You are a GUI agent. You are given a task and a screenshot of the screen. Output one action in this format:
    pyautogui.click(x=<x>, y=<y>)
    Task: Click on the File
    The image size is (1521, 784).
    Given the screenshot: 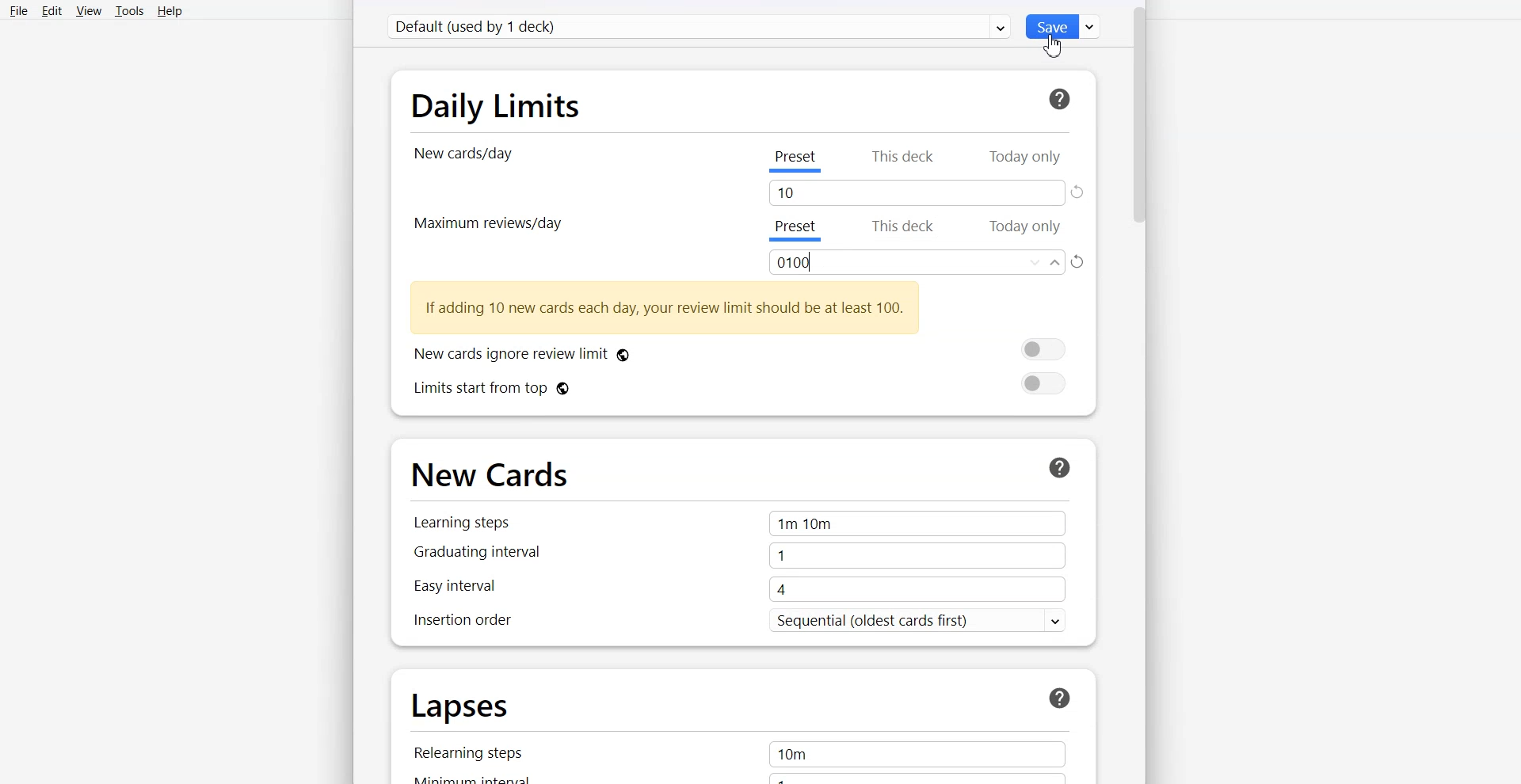 What is the action you would take?
    pyautogui.click(x=19, y=10)
    